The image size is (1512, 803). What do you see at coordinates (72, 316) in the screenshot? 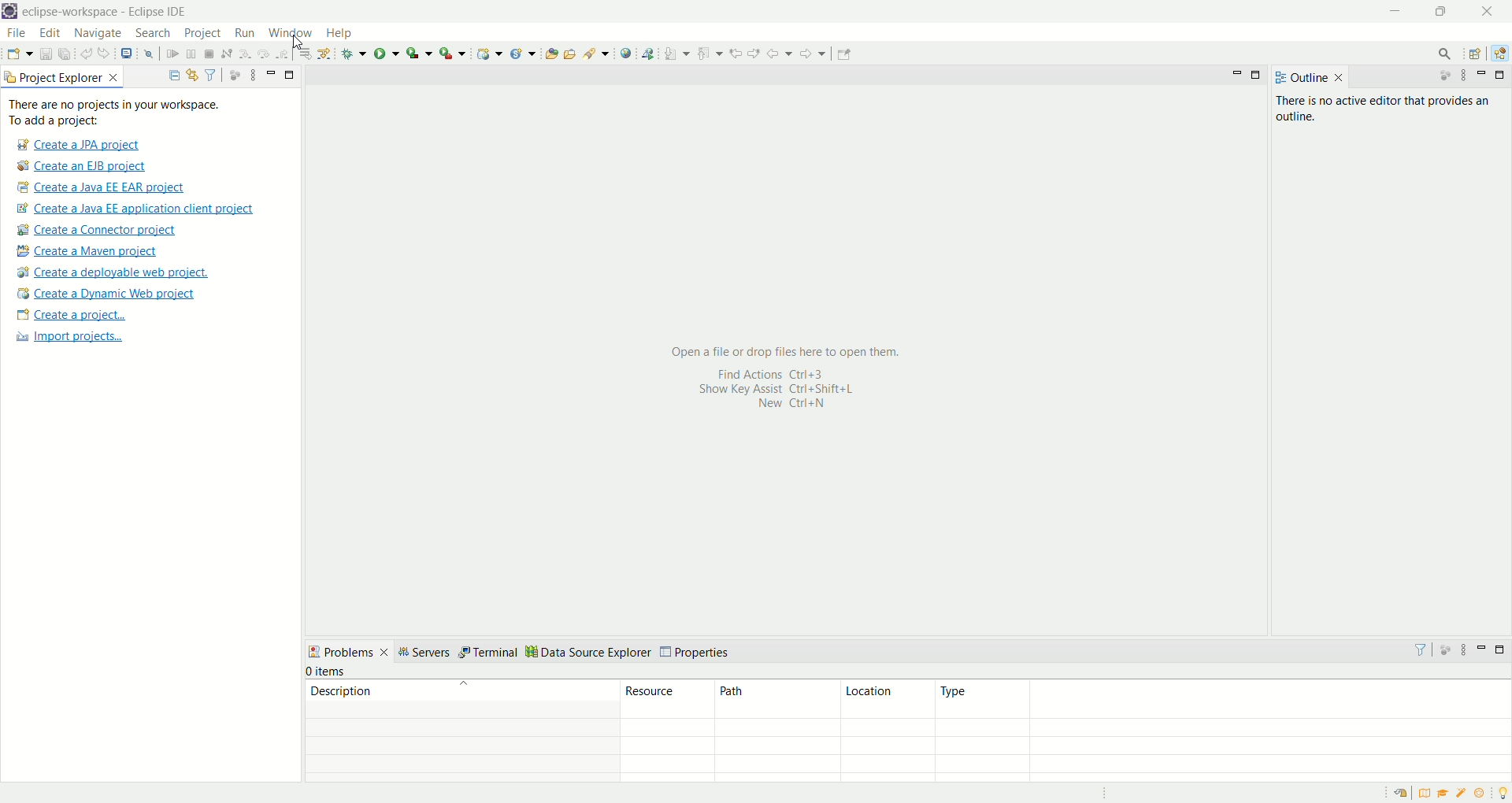
I see `create a project` at bounding box center [72, 316].